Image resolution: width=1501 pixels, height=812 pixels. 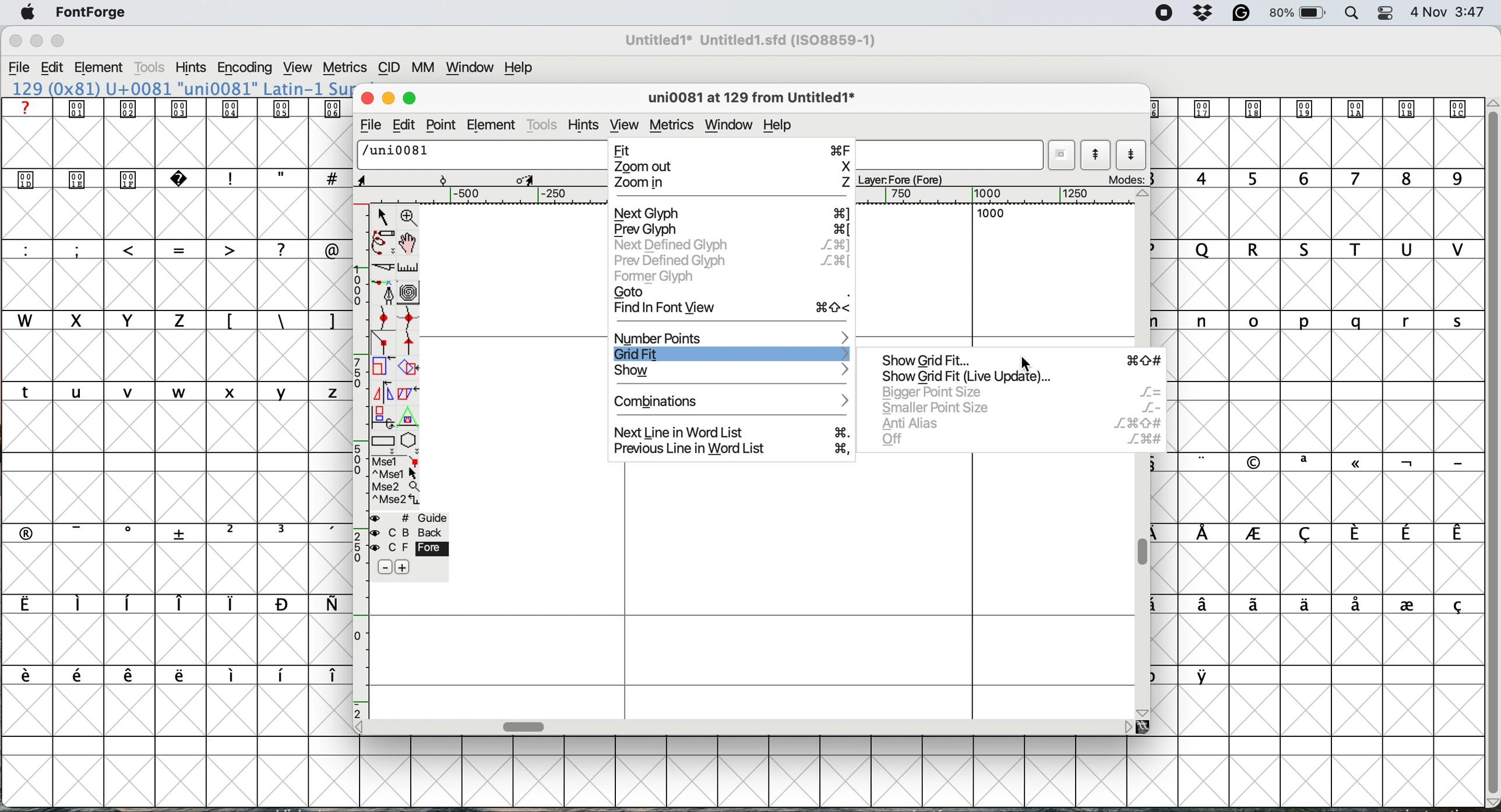 I want to click on Minus, so click(x=385, y=566).